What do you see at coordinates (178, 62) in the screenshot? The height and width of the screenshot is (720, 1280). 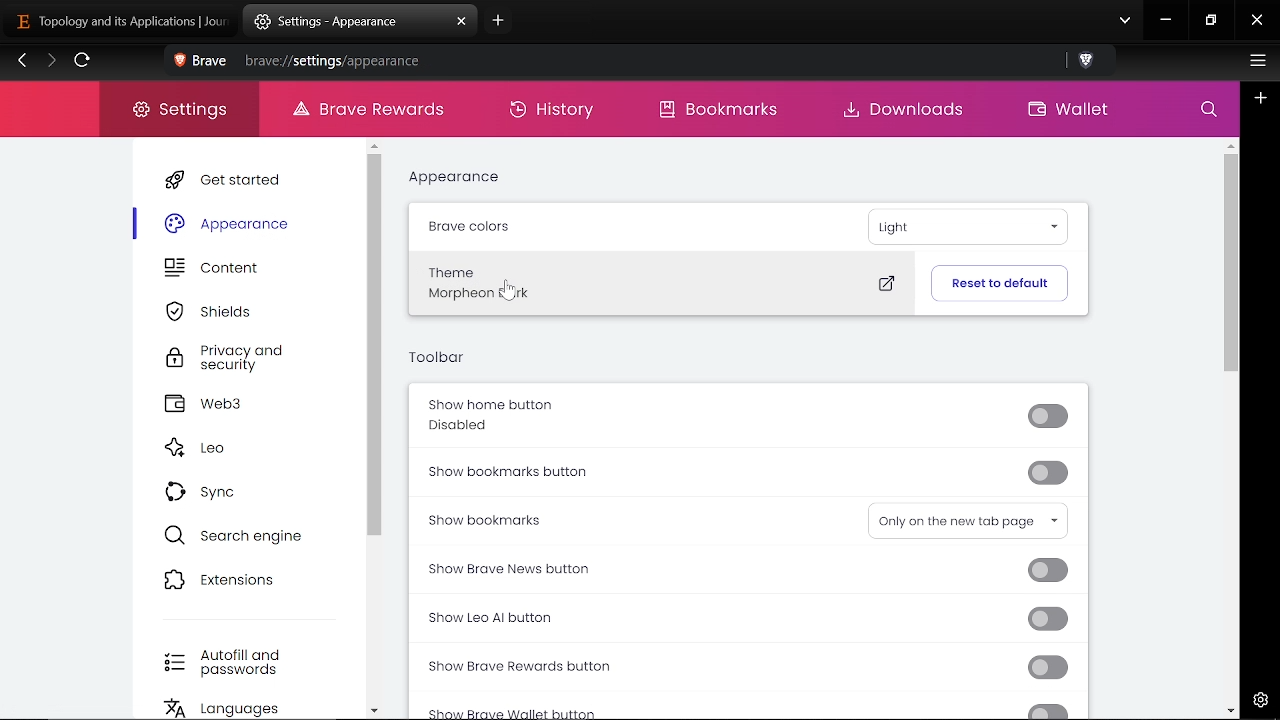 I see `View site information` at bounding box center [178, 62].